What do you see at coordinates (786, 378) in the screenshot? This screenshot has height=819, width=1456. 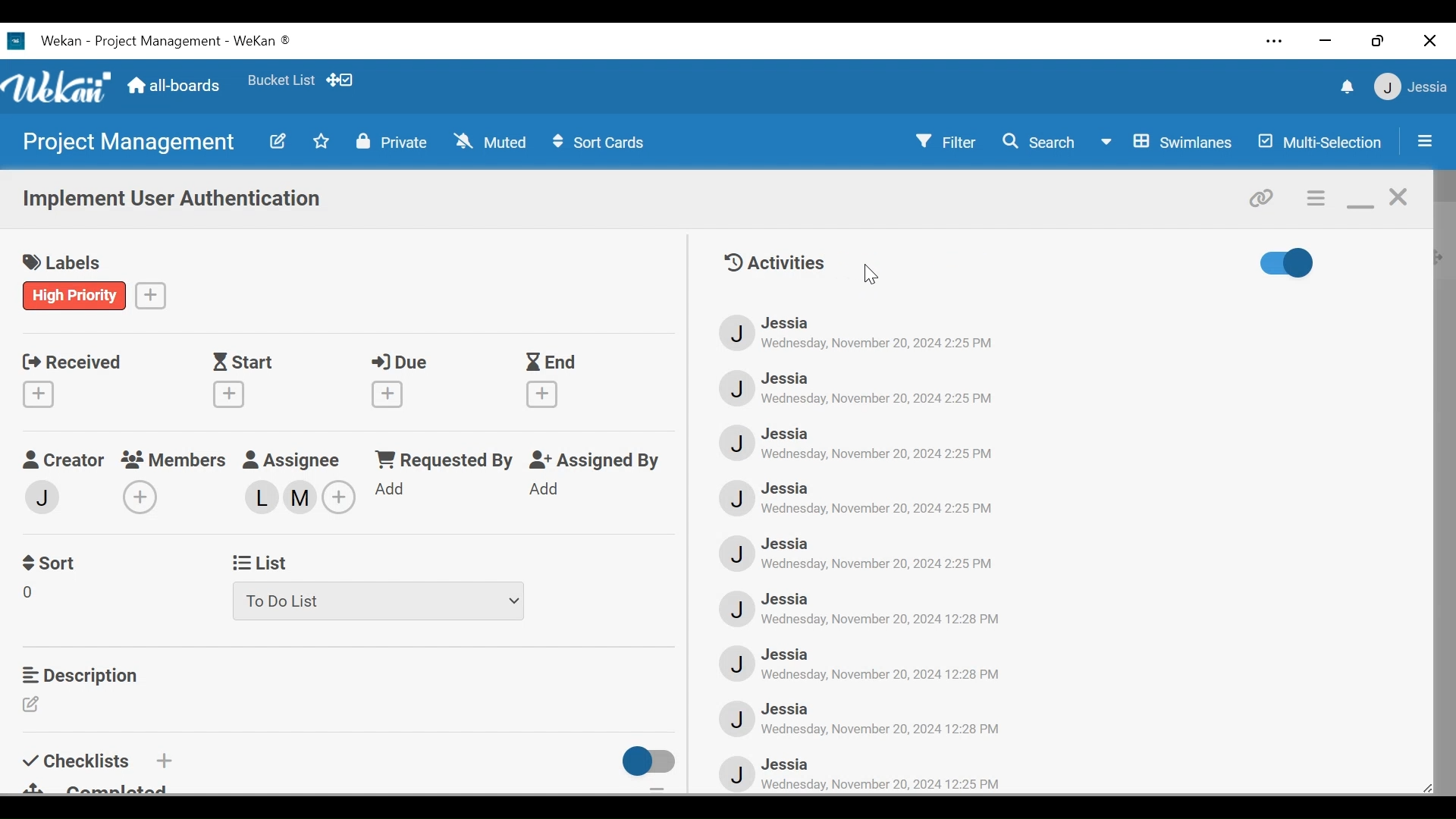 I see `Member Name` at bounding box center [786, 378].